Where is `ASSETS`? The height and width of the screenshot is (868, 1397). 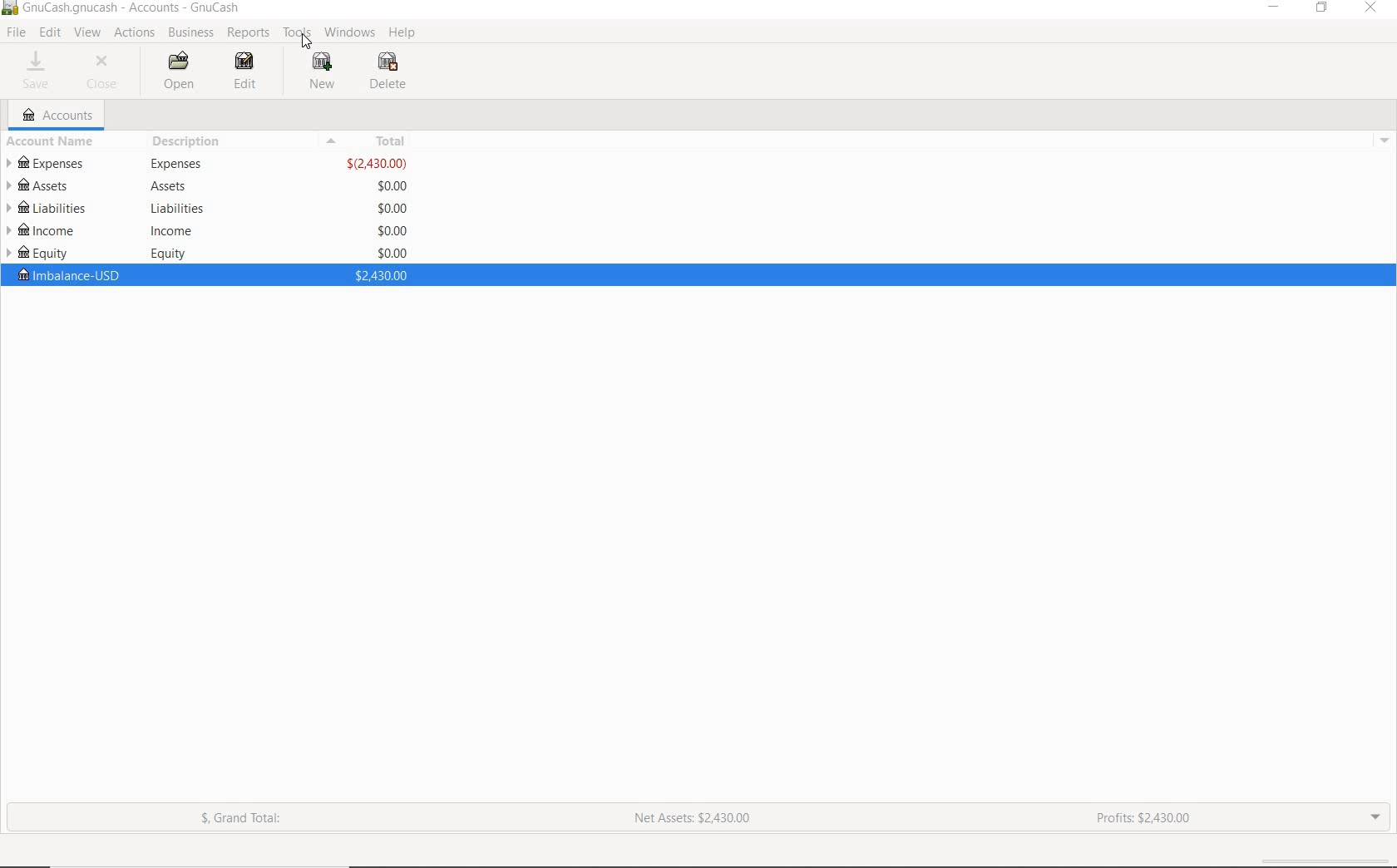
ASSETS is located at coordinates (48, 184).